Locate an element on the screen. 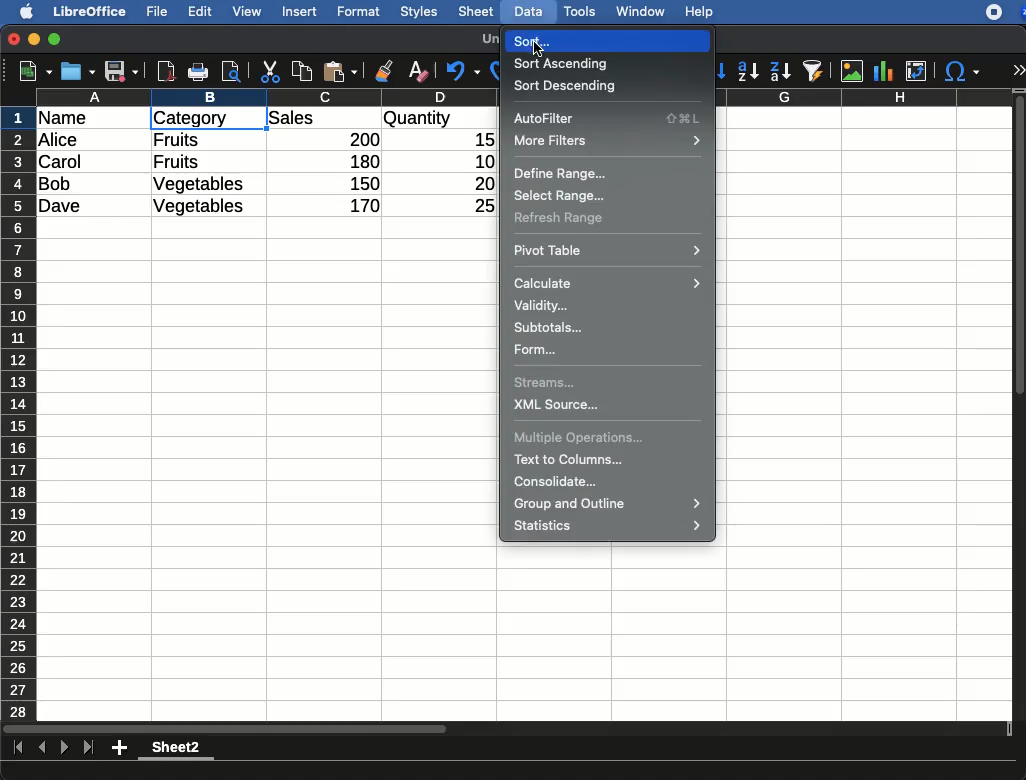 This screenshot has width=1026, height=780. name is located at coordinates (68, 119).